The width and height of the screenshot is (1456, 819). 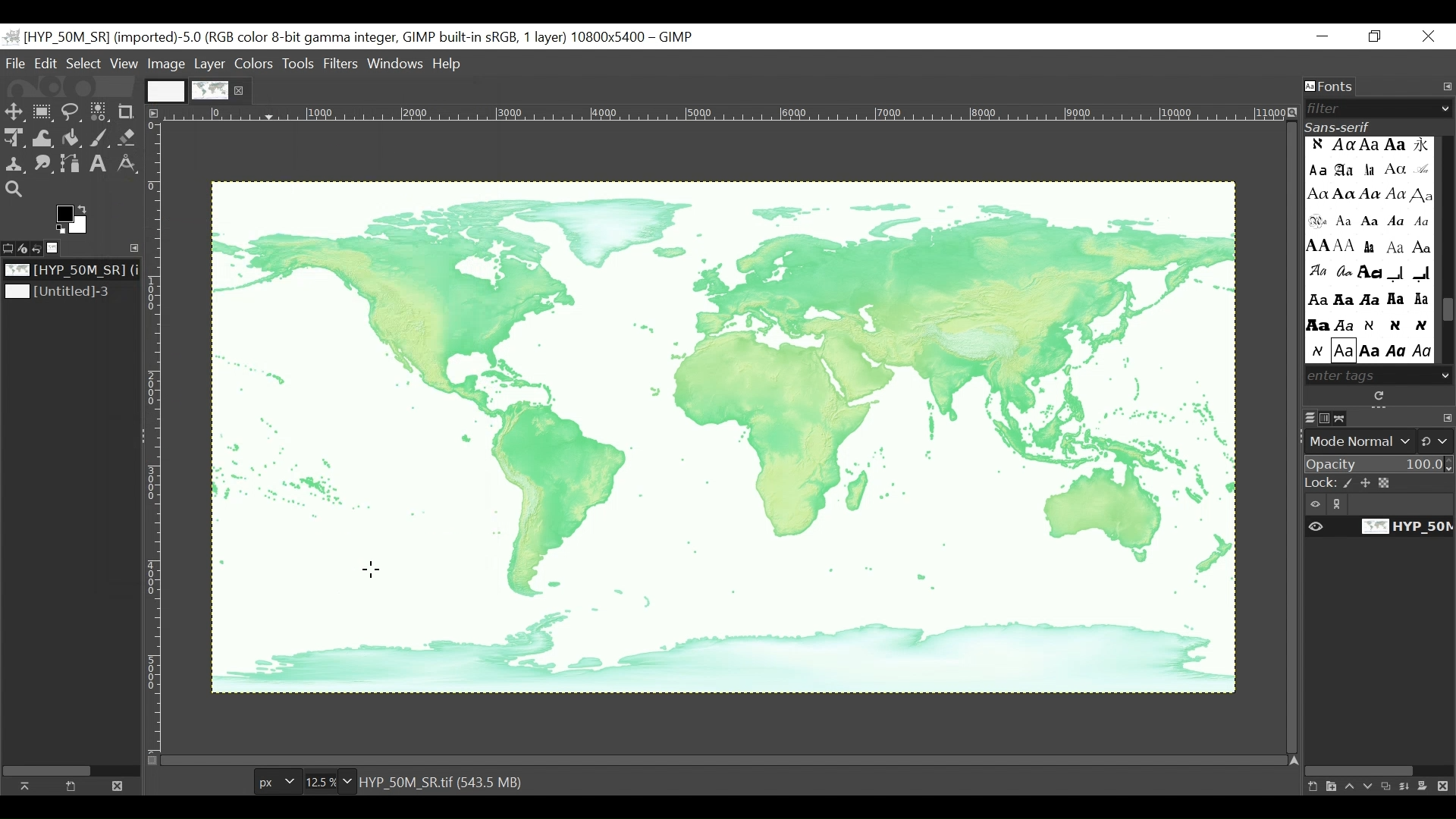 I want to click on Enter Tags, so click(x=1368, y=249).